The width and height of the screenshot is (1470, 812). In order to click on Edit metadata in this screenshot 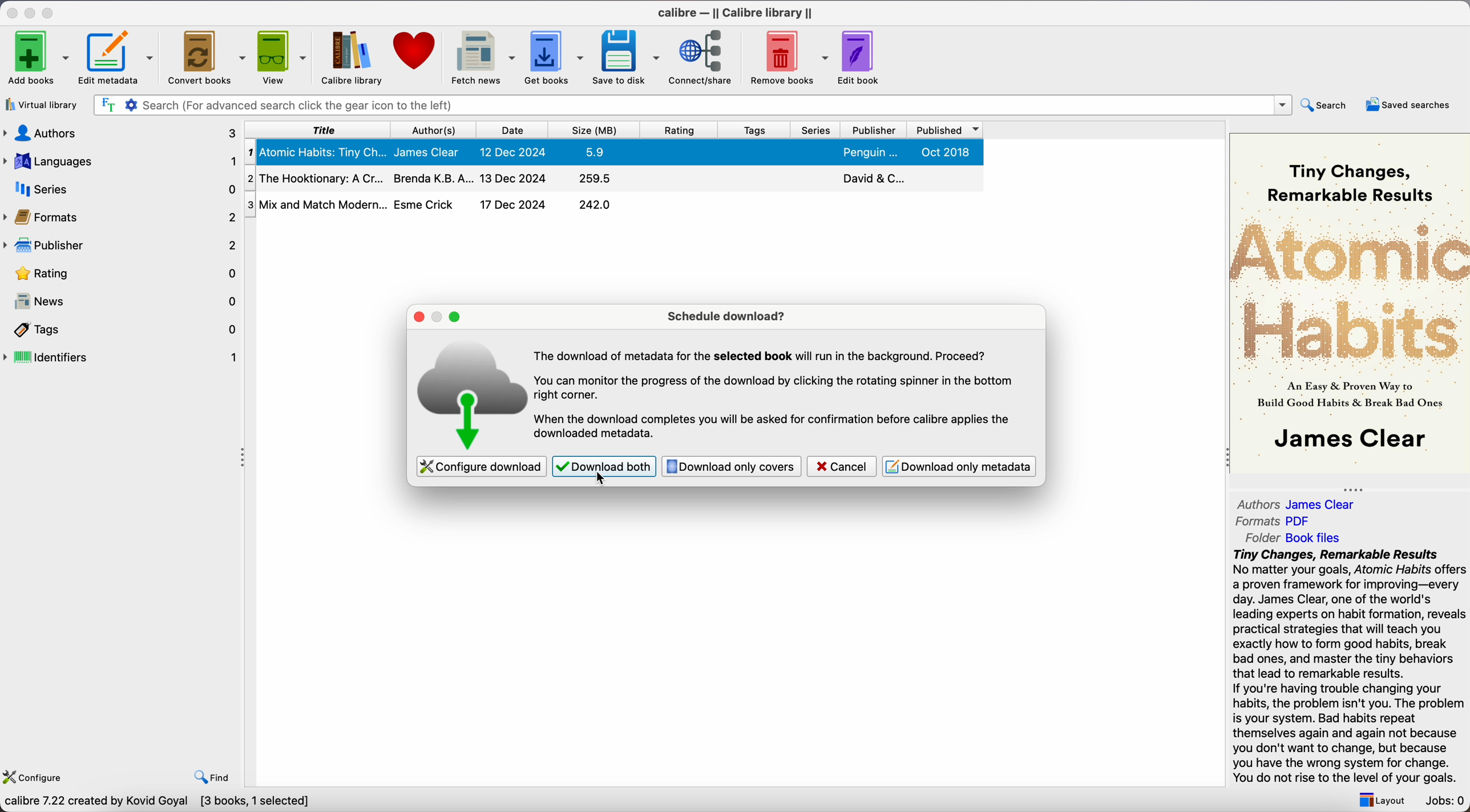, I will do `click(109, 57)`.